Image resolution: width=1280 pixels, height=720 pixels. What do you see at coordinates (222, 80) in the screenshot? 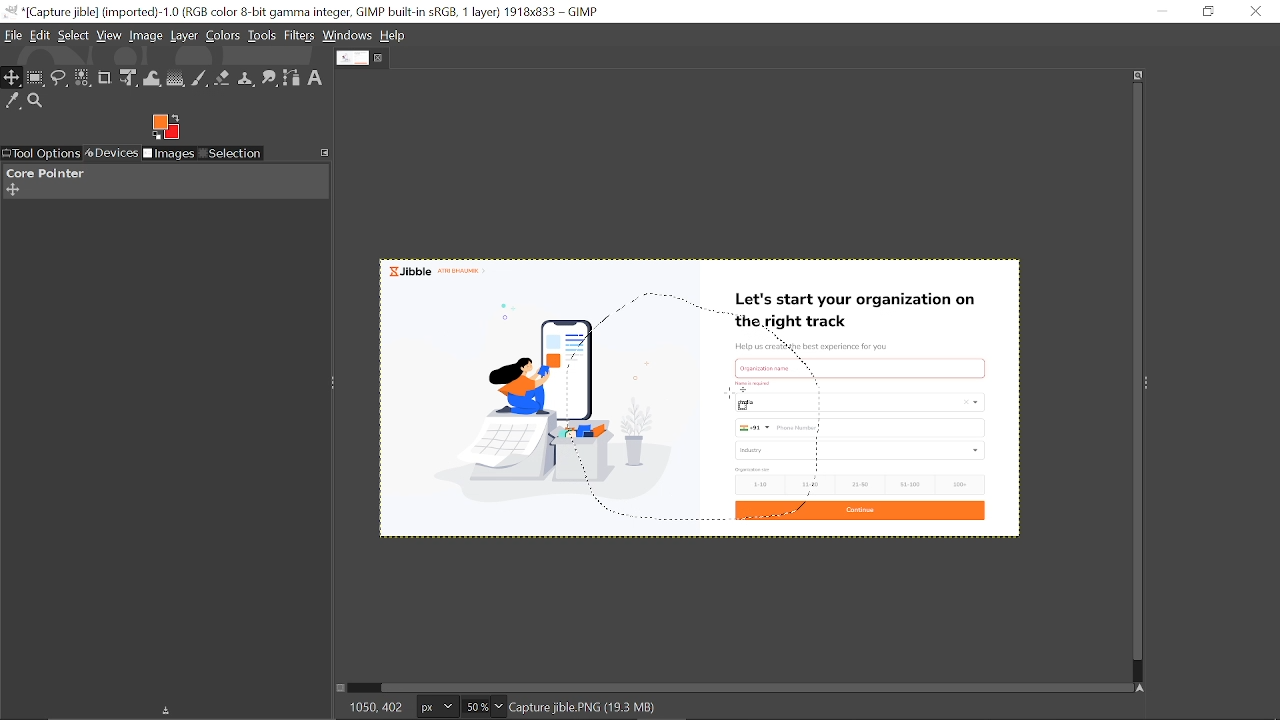
I see `Eraser tool` at bounding box center [222, 80].